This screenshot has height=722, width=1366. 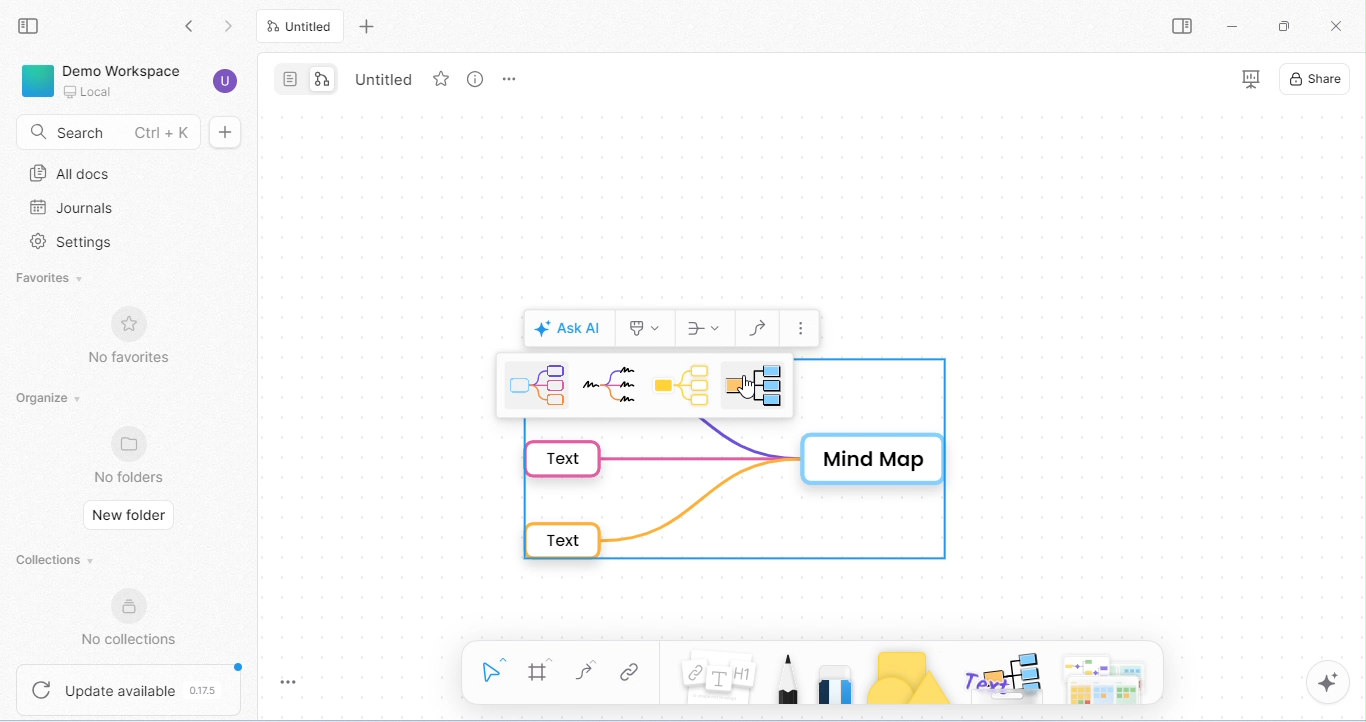 What do you see at coordinates (716, 672) in the screenshot?
I see `note` at bounding box center [716, 672].